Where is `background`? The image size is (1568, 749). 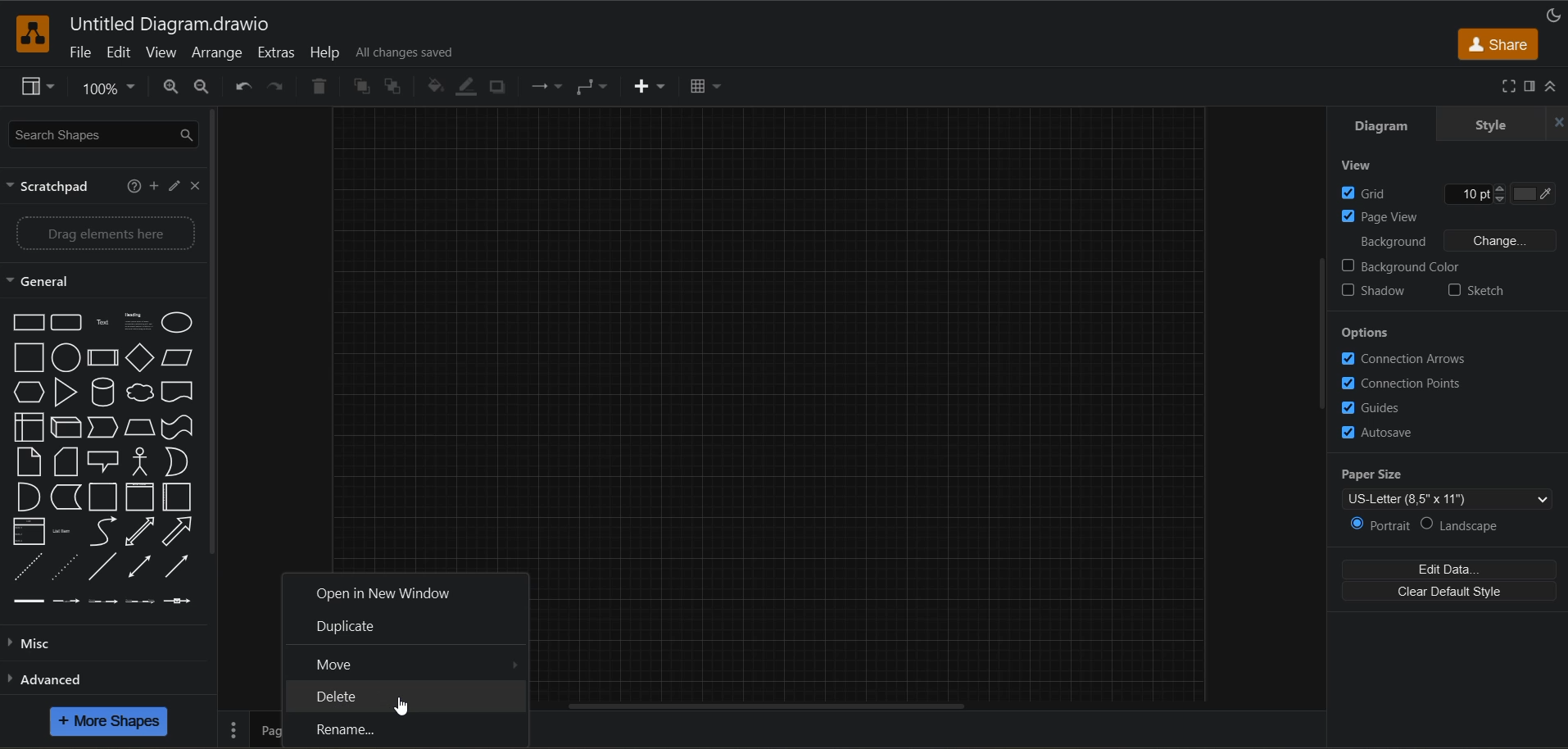 background is located at coordinates (1456, 240).